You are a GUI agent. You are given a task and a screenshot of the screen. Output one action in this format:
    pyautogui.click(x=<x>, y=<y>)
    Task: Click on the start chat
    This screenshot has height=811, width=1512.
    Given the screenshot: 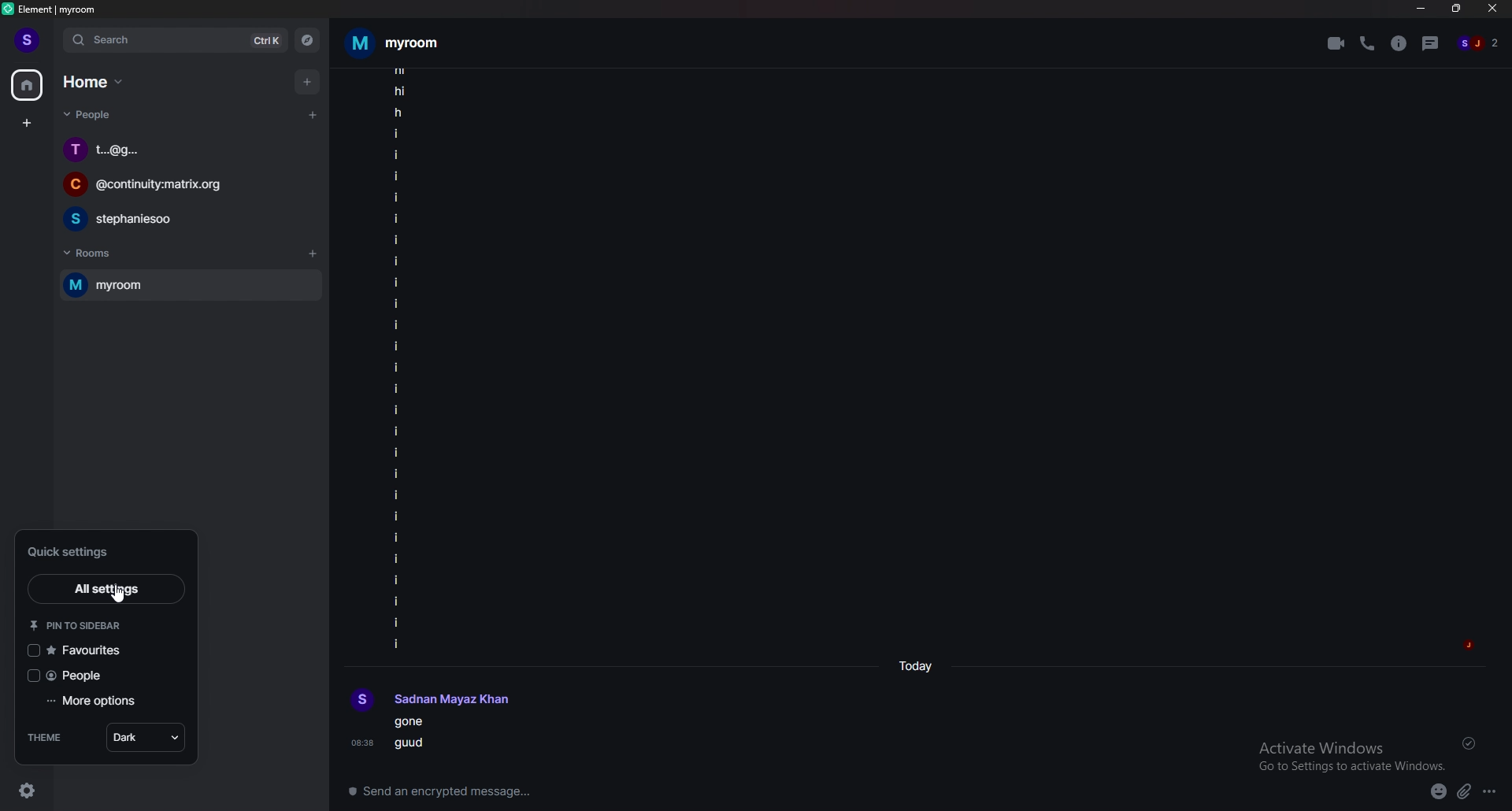 What is the action you would take?
    pyautogui.click(x=312, y=114)
    